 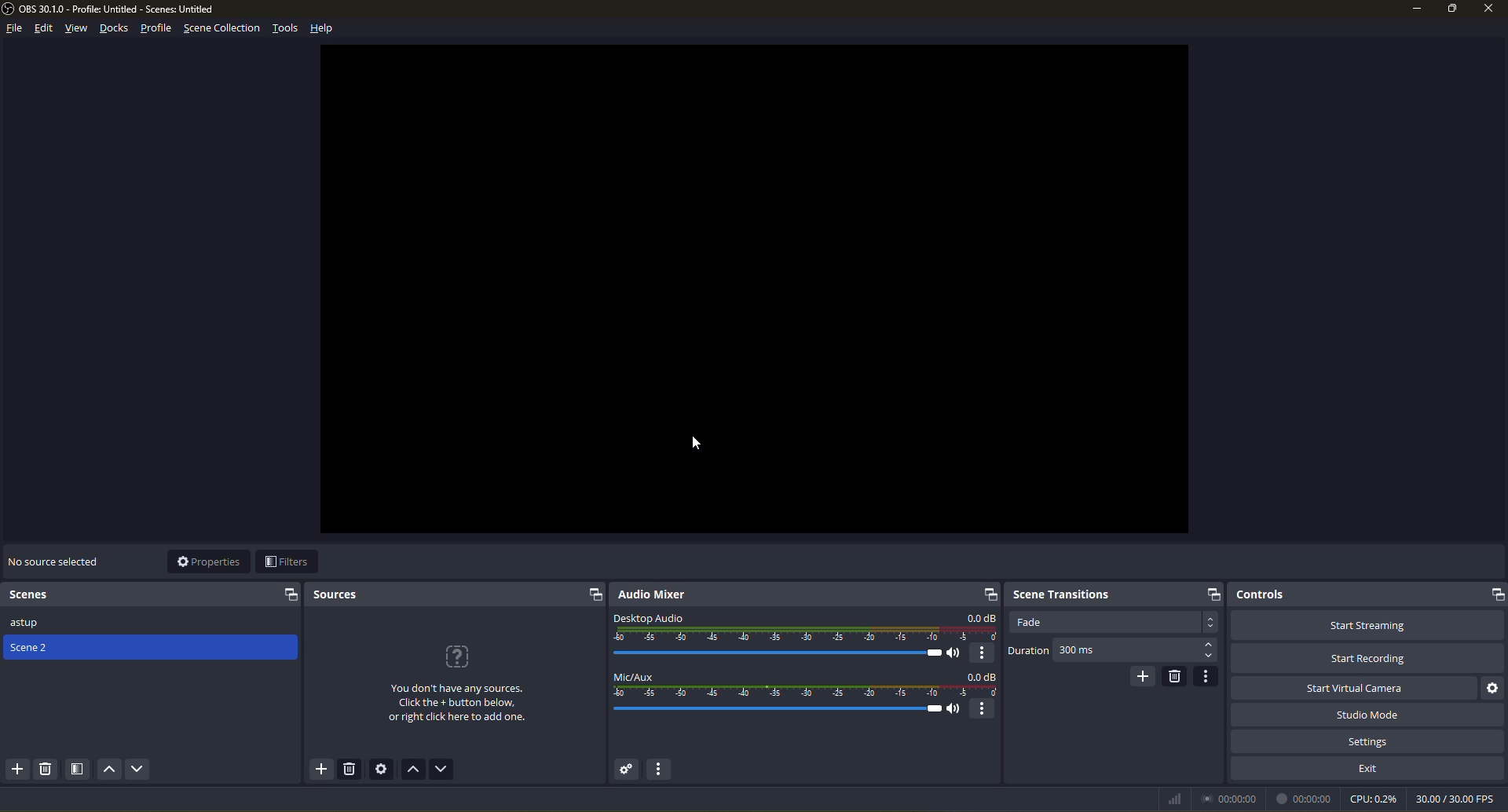 What do you see at coordinates (1145, 676) in the screenshot?
I see `add configurable transition` at bounding box center [1145, 676].